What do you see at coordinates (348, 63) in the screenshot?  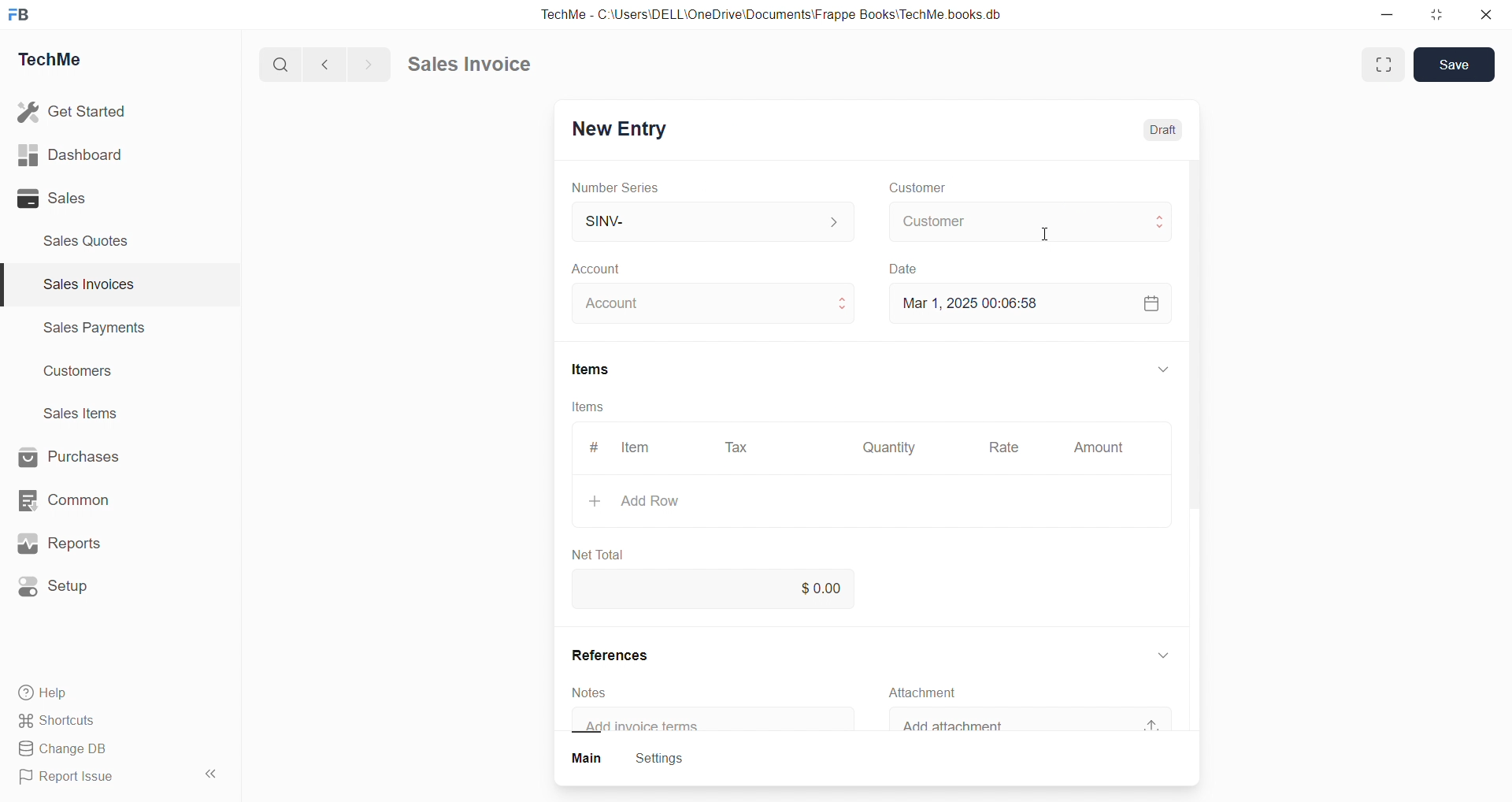 I see `Forward/Backward` at bounding box center [348, 63].